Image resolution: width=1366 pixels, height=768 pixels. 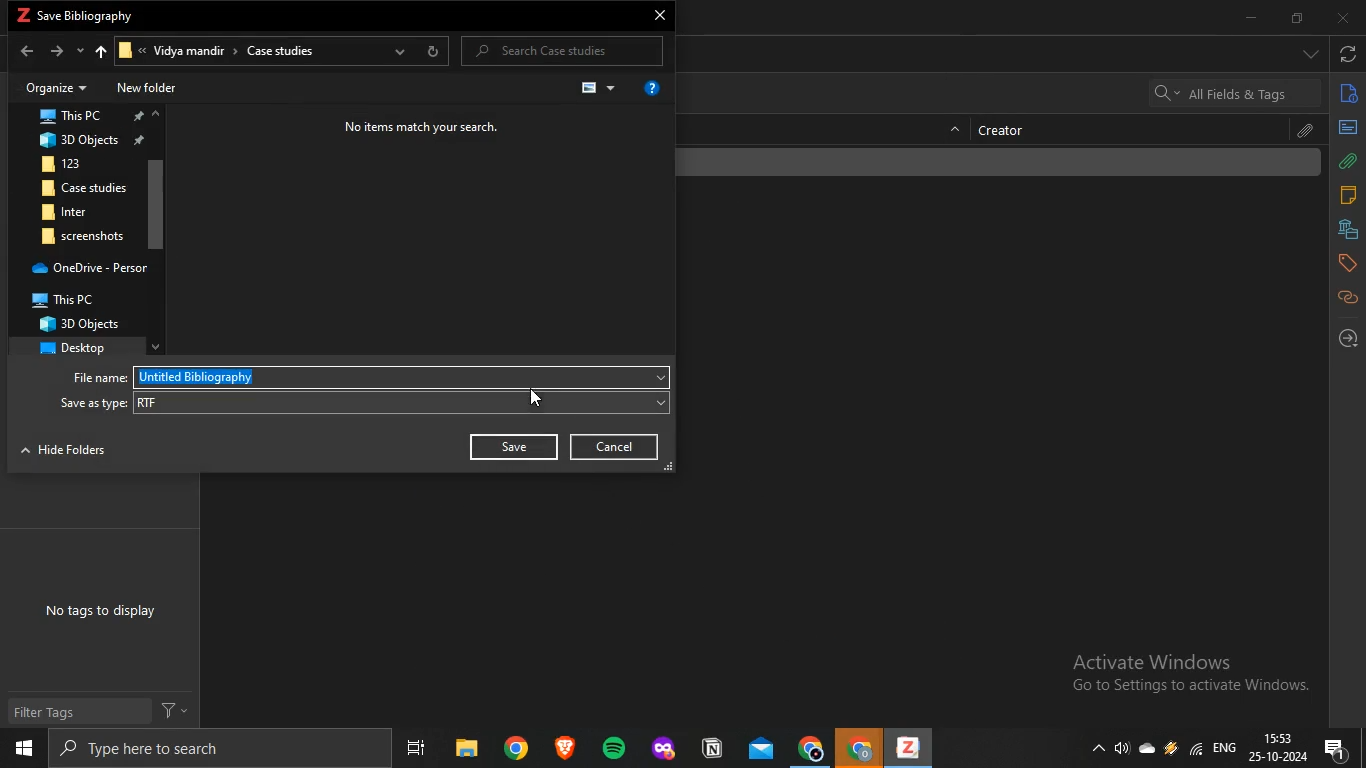 I want to click on close, so click(x=1341, y=19).